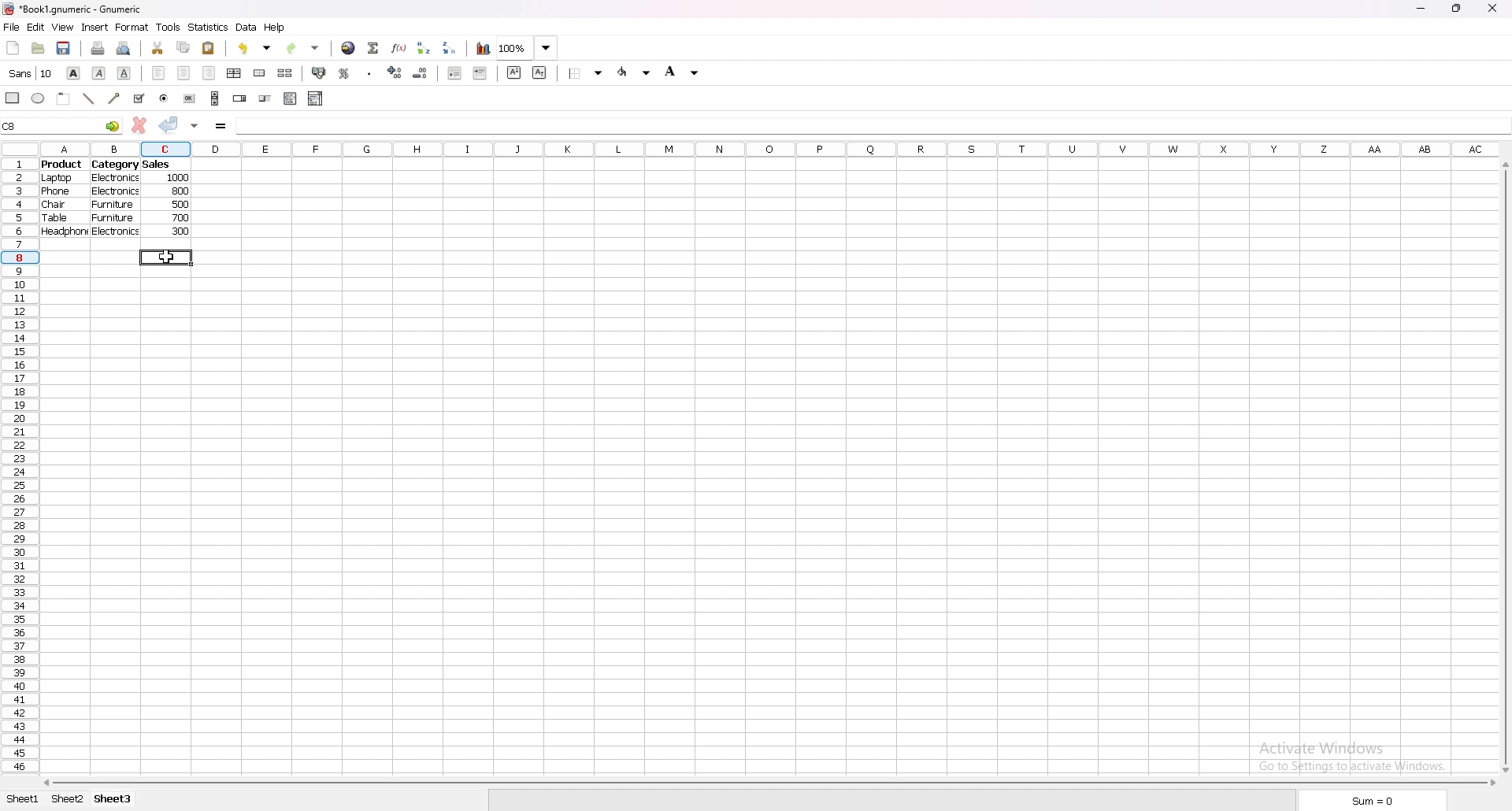 The width and height of the screenshot is (1512, 811). What do you see at coordinates (182, 192) in the screenshot?
I see `800` at bounding box center [182, 192].